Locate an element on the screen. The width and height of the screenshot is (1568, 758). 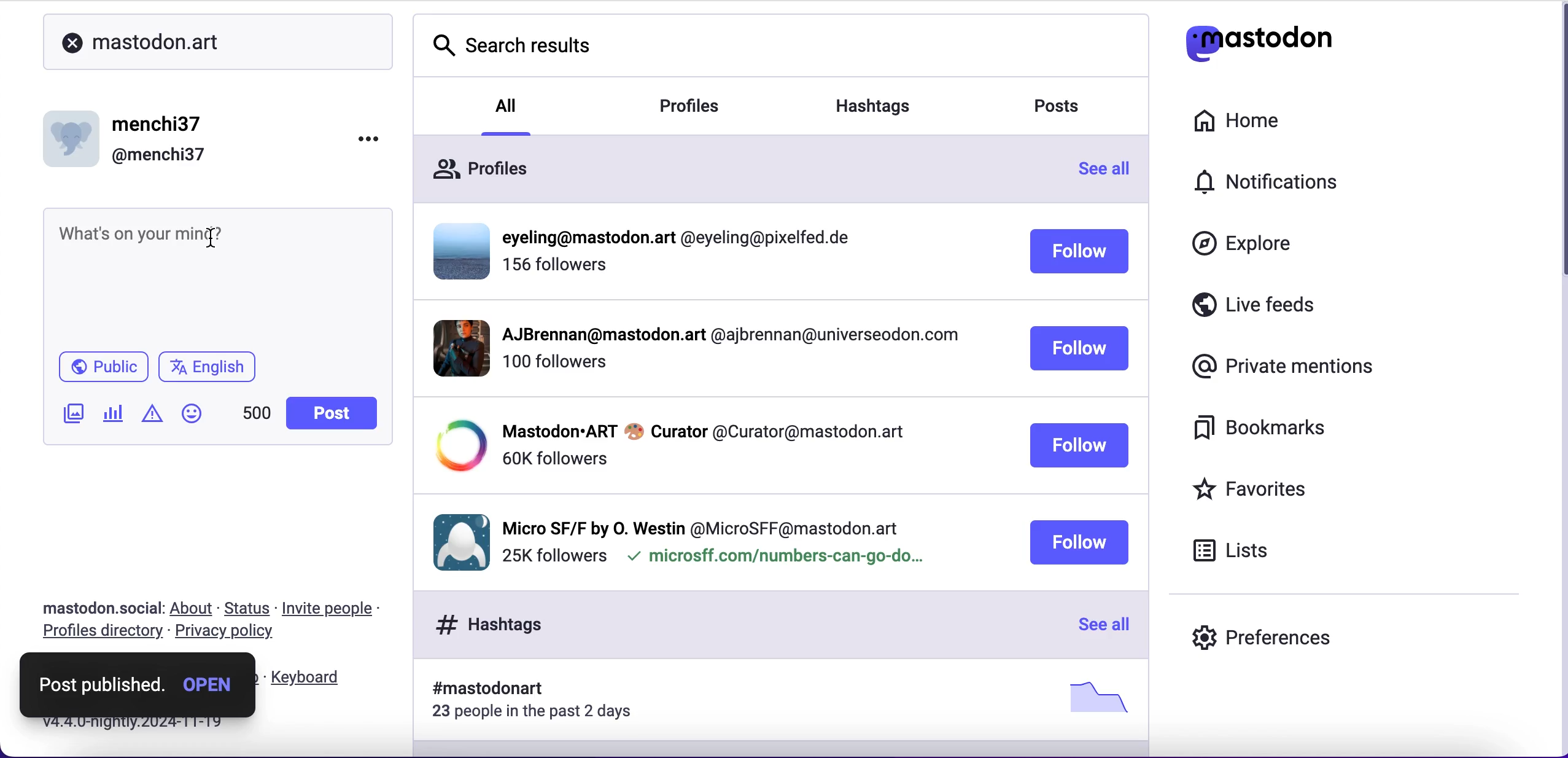
all is located at coordinates (508, 104).